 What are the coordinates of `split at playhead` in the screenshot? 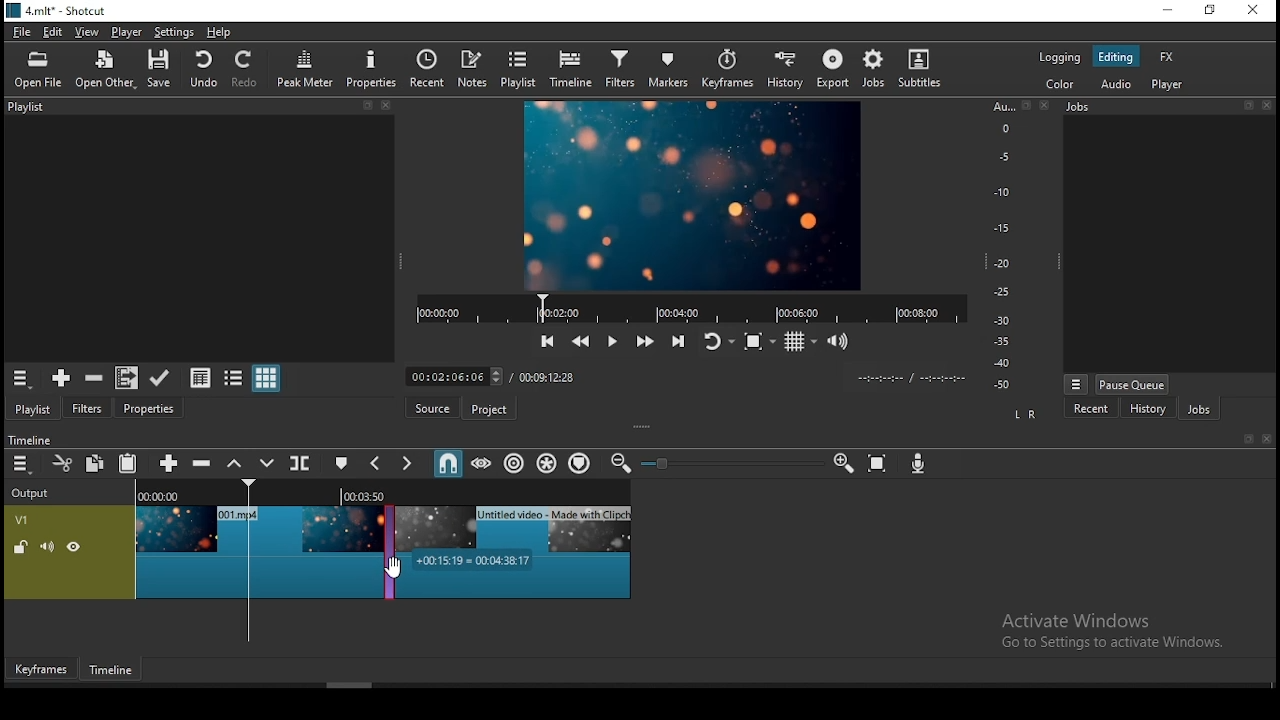 It's located at (302, 462).